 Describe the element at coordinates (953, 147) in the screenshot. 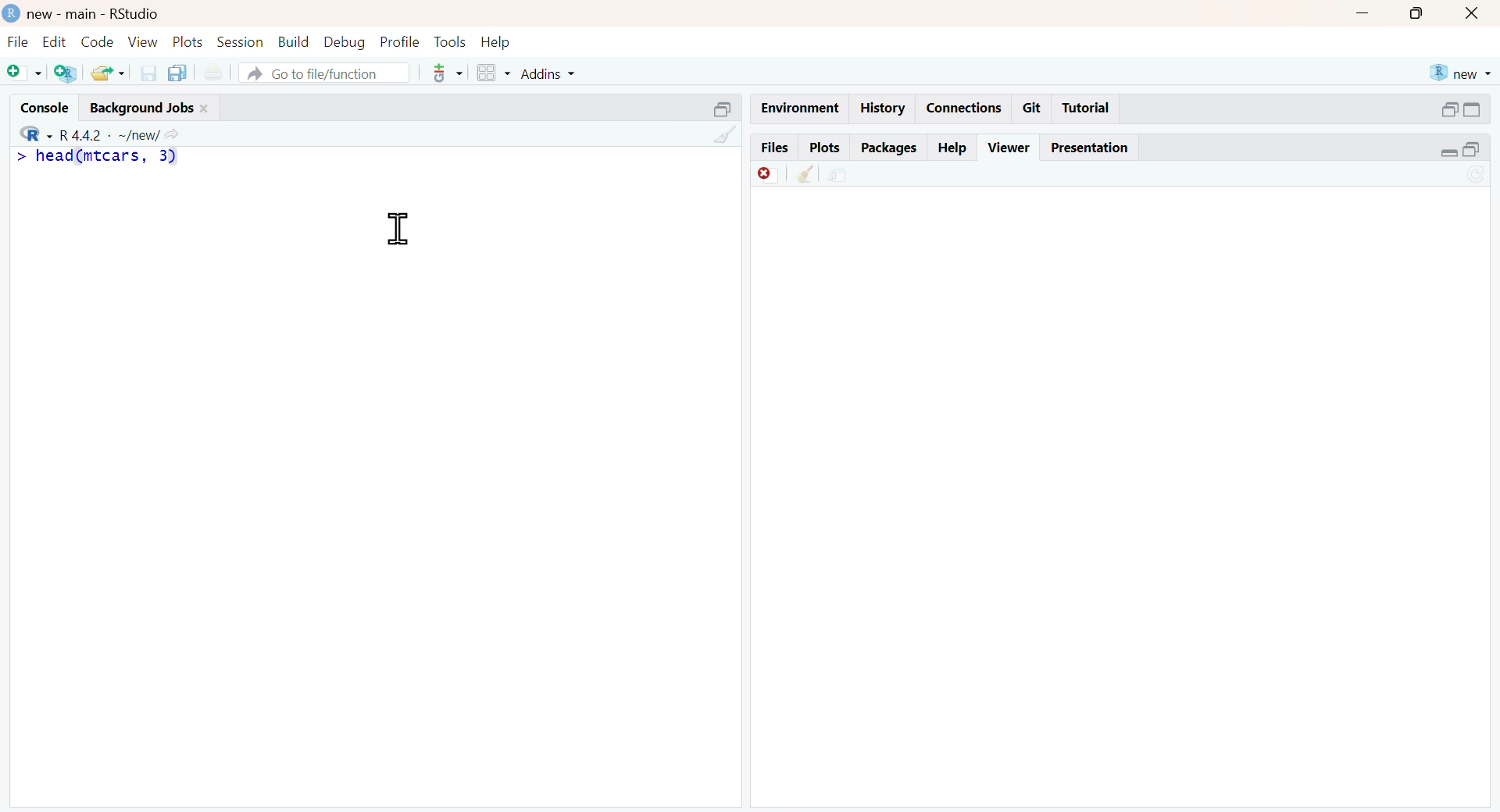

I see `Help` at that location.